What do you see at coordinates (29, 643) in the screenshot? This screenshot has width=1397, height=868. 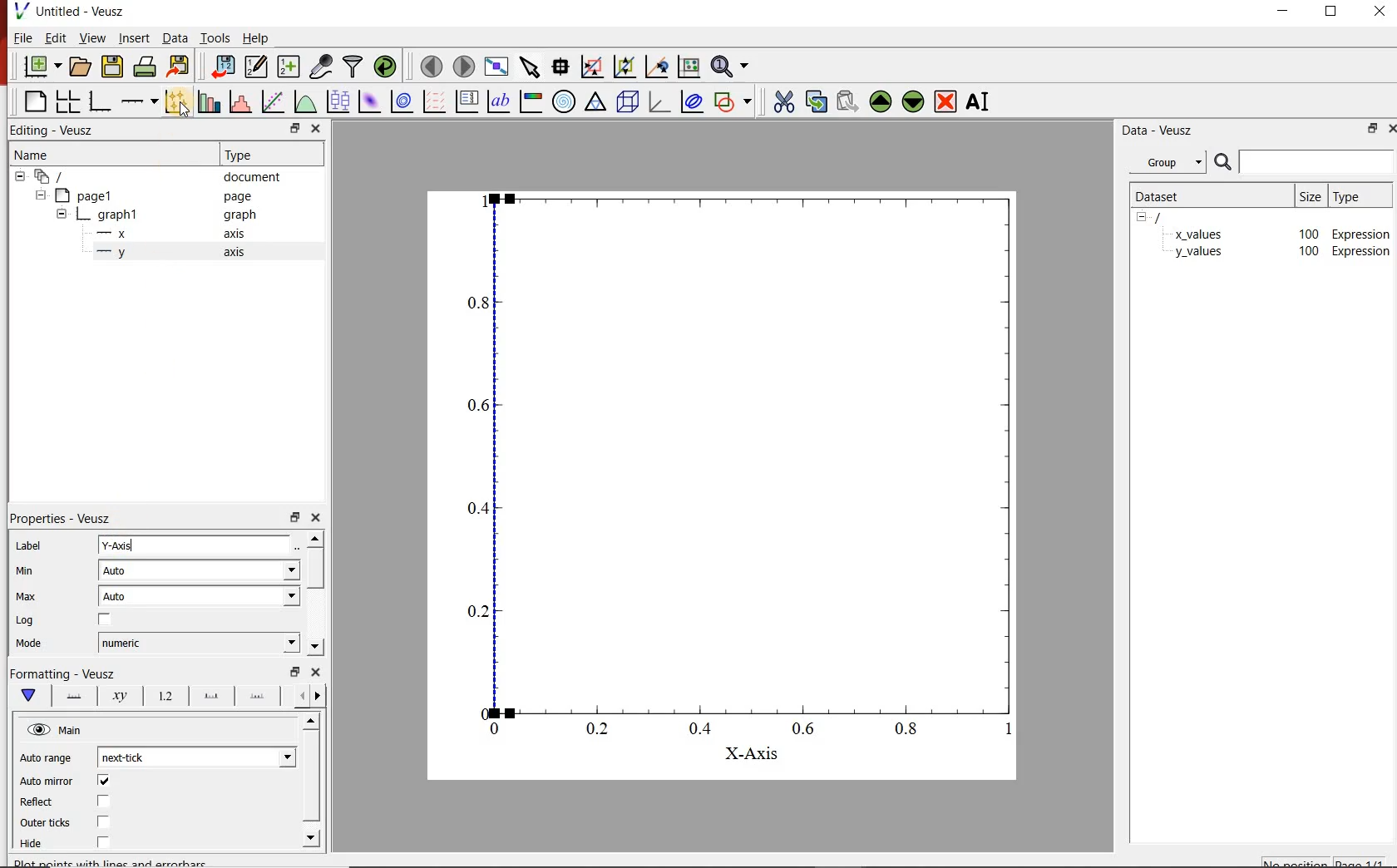 I see `Mode` at bounding box center [29, 643].